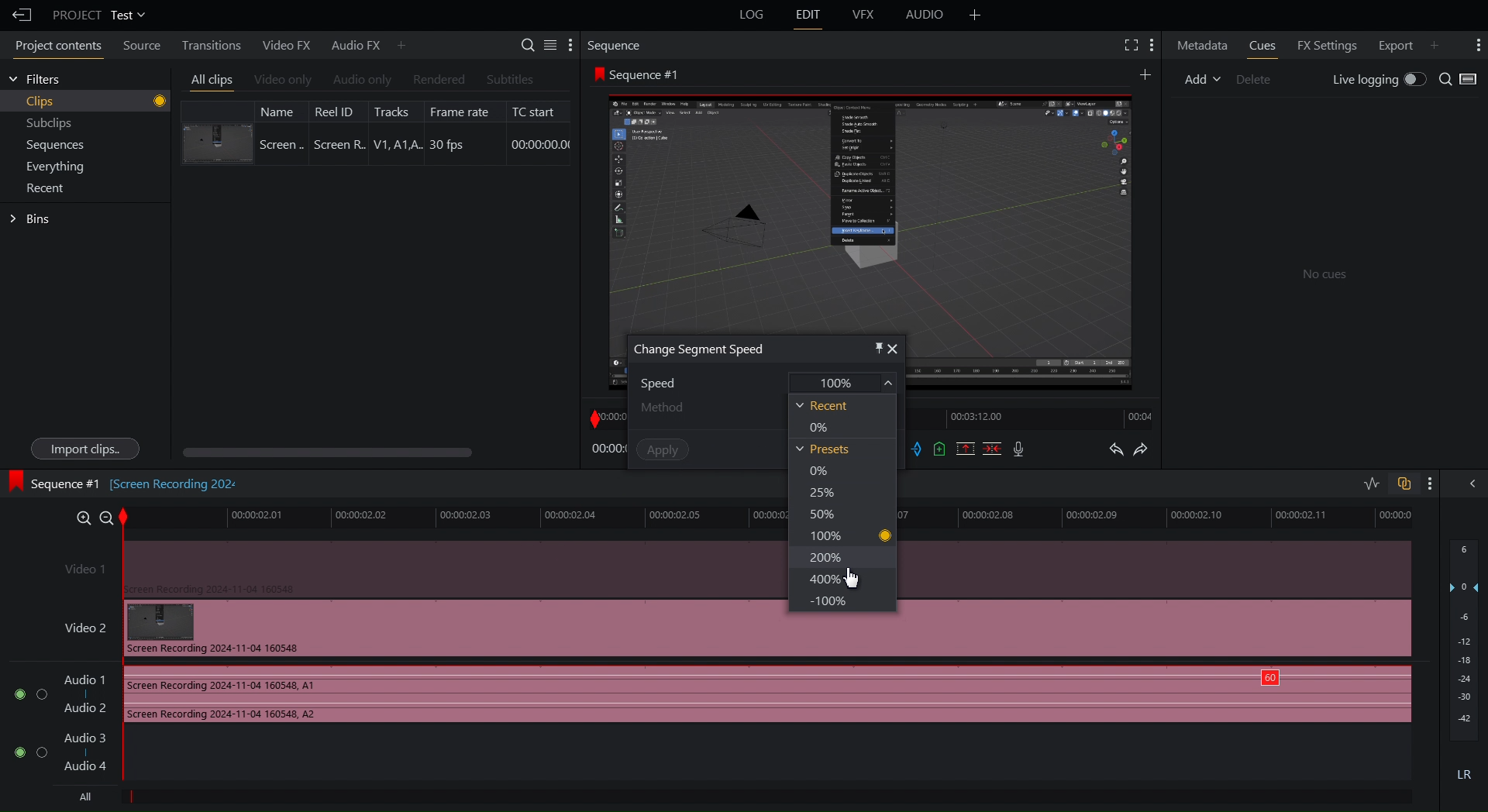  What do you see at coordinates (33, 219) in the screenshot?
I see `Bins` at bounding box center [33, 219].